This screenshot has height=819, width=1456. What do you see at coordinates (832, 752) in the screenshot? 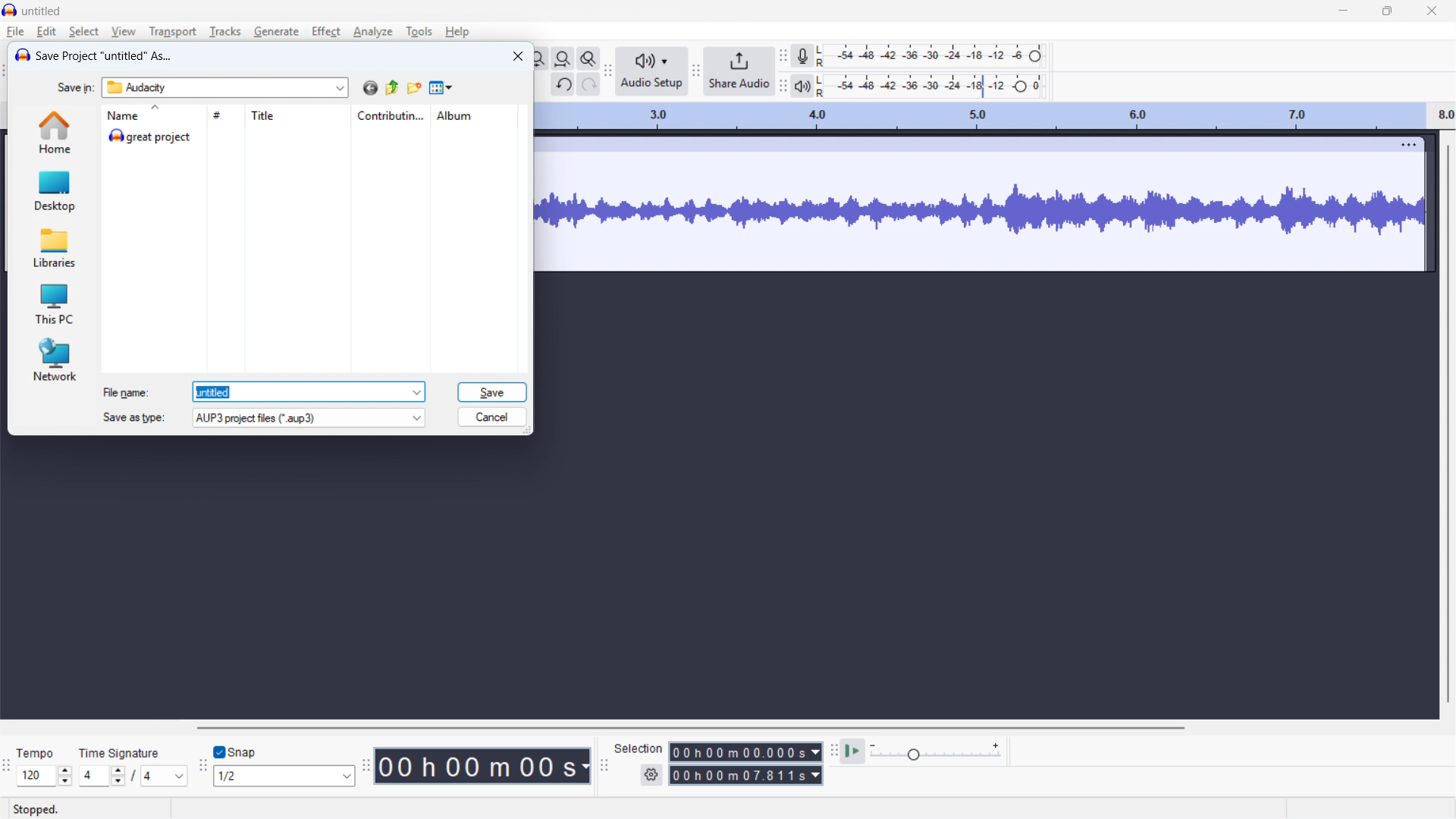
I see `play at speed toolbar` at bounding box center [832, 752].